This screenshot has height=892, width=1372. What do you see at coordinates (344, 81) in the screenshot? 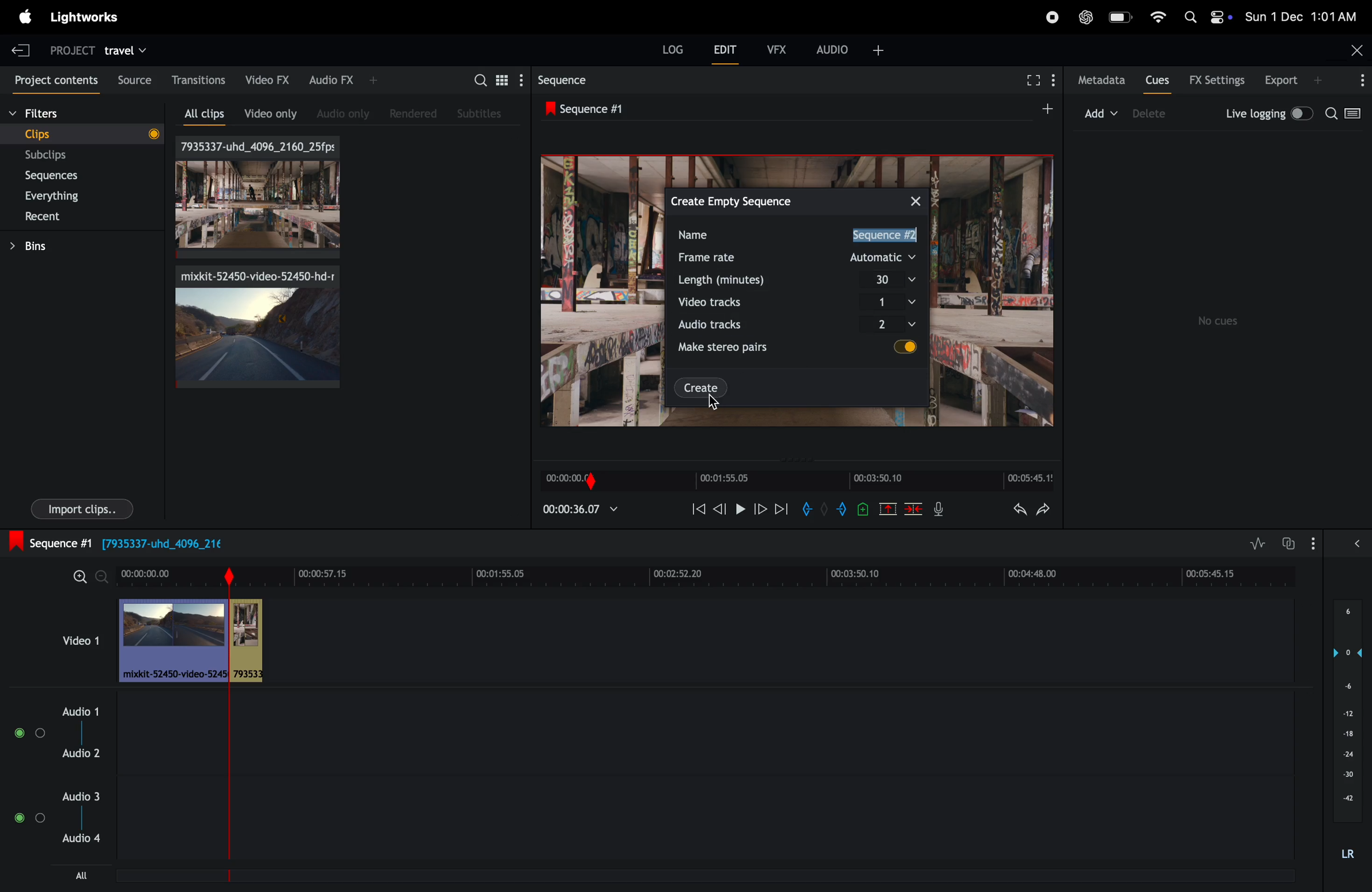
I see `audio fx` at bounding box center [344, 81].